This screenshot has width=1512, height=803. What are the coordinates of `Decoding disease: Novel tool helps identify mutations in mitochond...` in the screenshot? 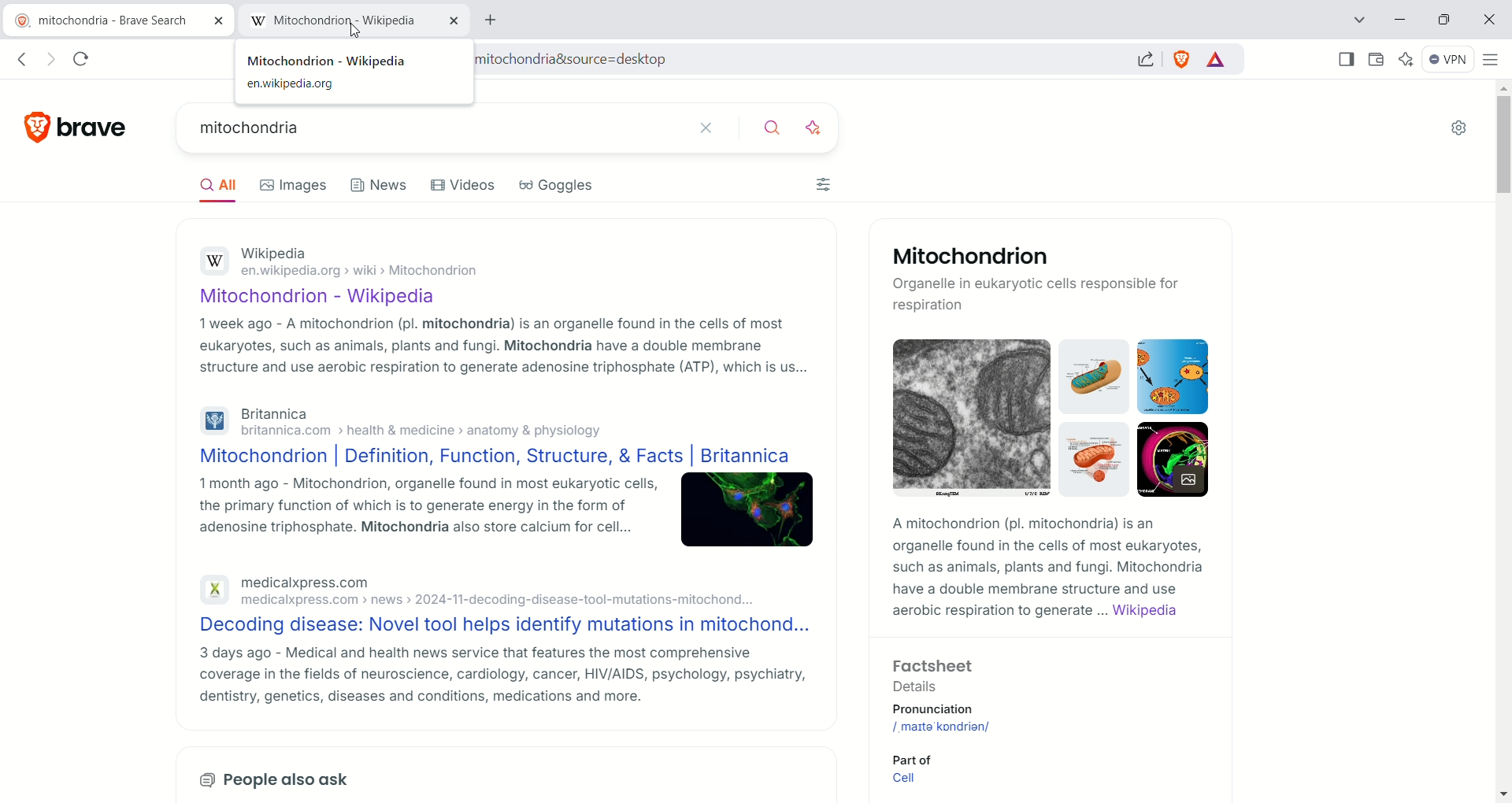 It's located at (517, 624).